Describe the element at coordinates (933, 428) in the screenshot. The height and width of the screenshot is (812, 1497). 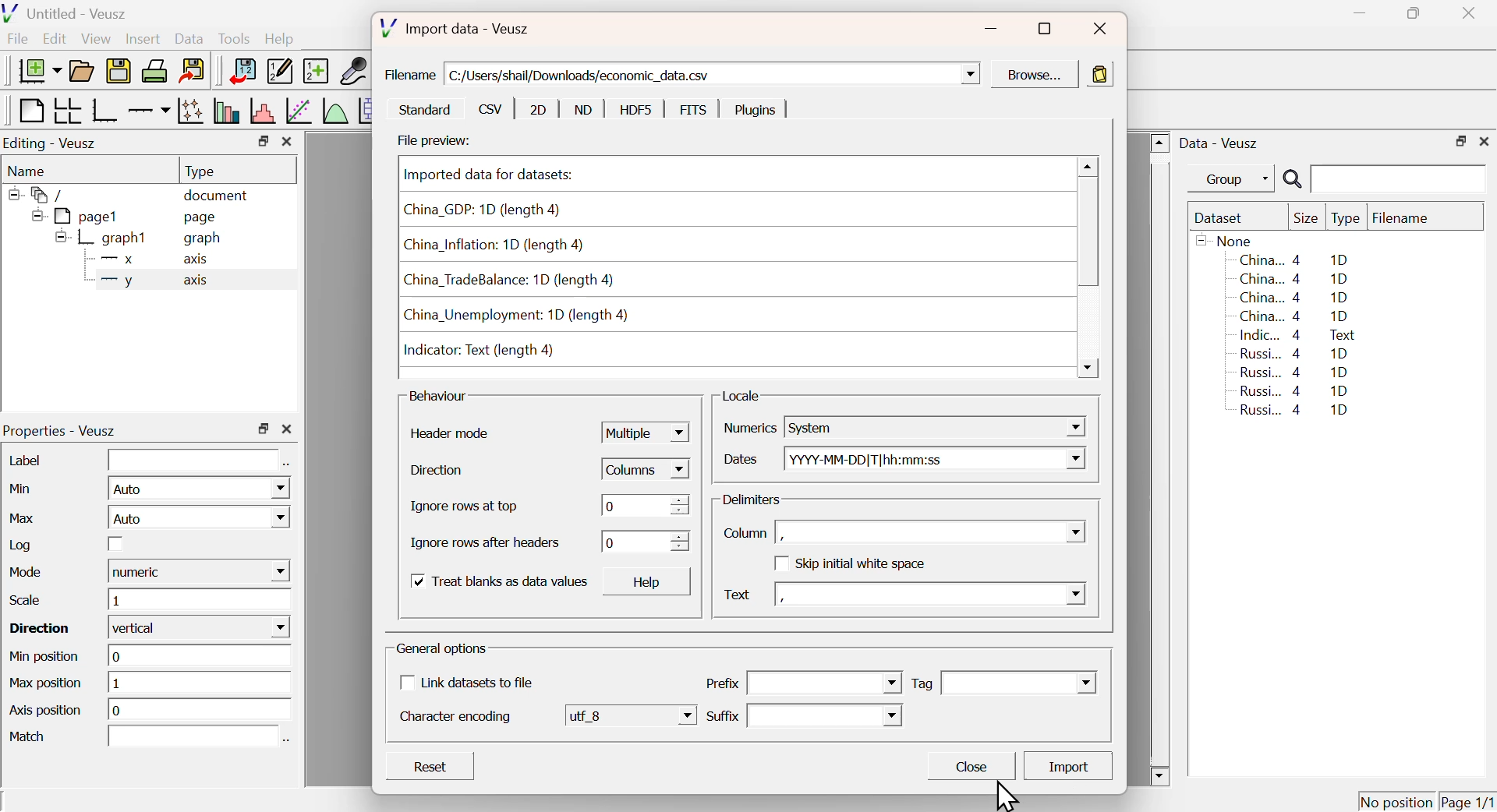
I see `System` at that location.